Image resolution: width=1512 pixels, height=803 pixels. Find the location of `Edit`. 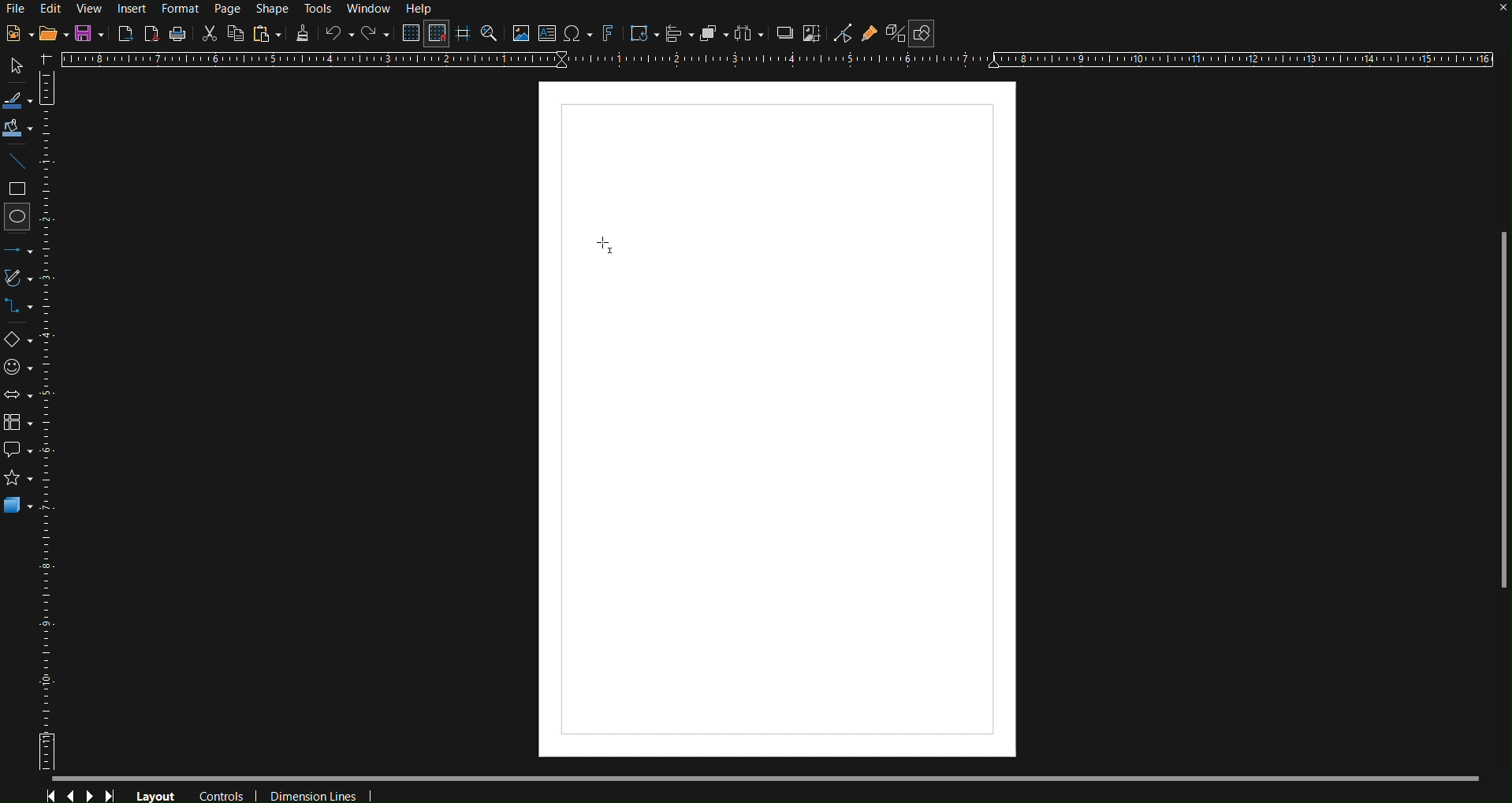

Edit is located at coordinates (51, 8).